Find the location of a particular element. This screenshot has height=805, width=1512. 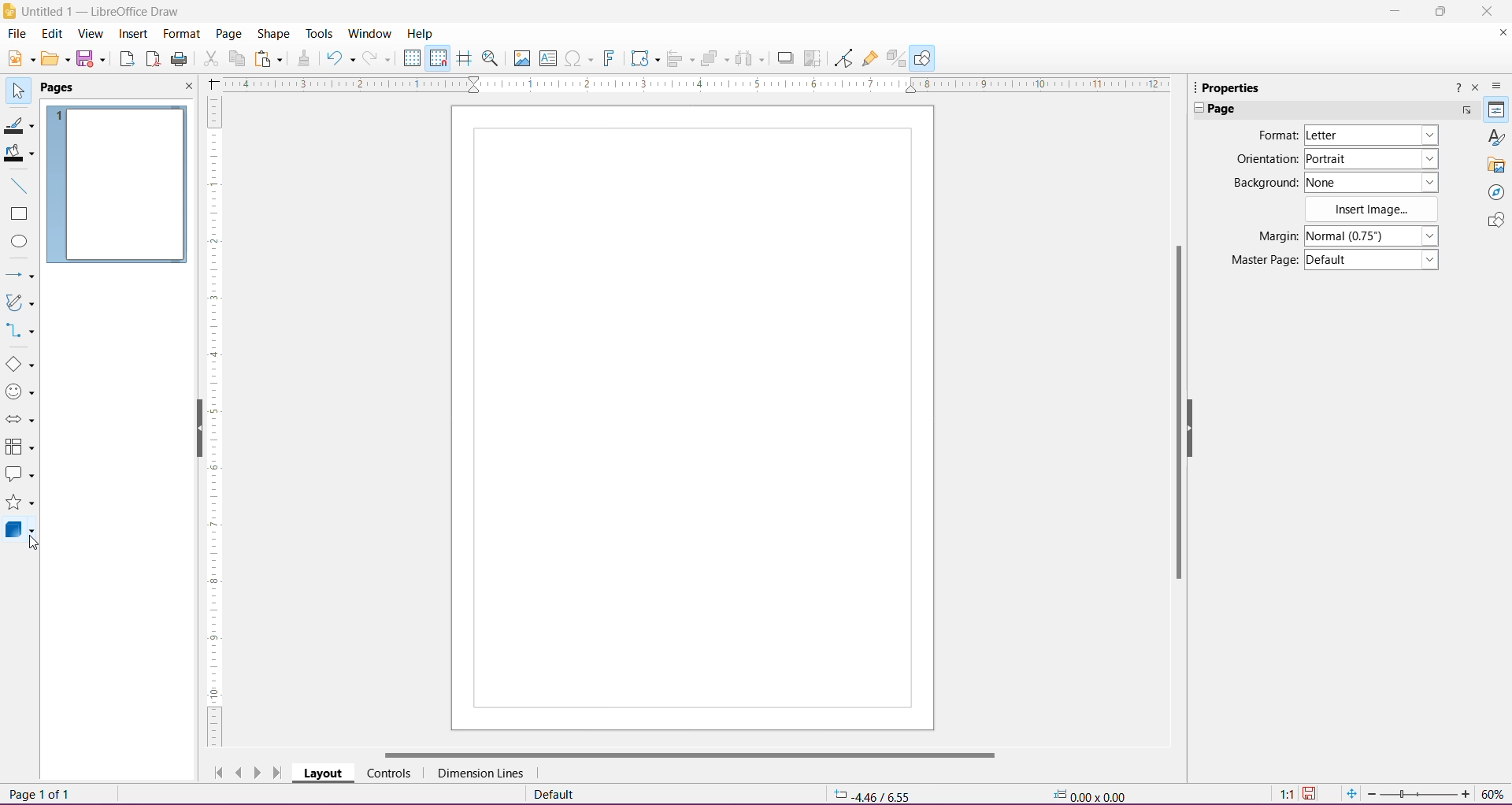

Format is located at coordinates (1276, 135).